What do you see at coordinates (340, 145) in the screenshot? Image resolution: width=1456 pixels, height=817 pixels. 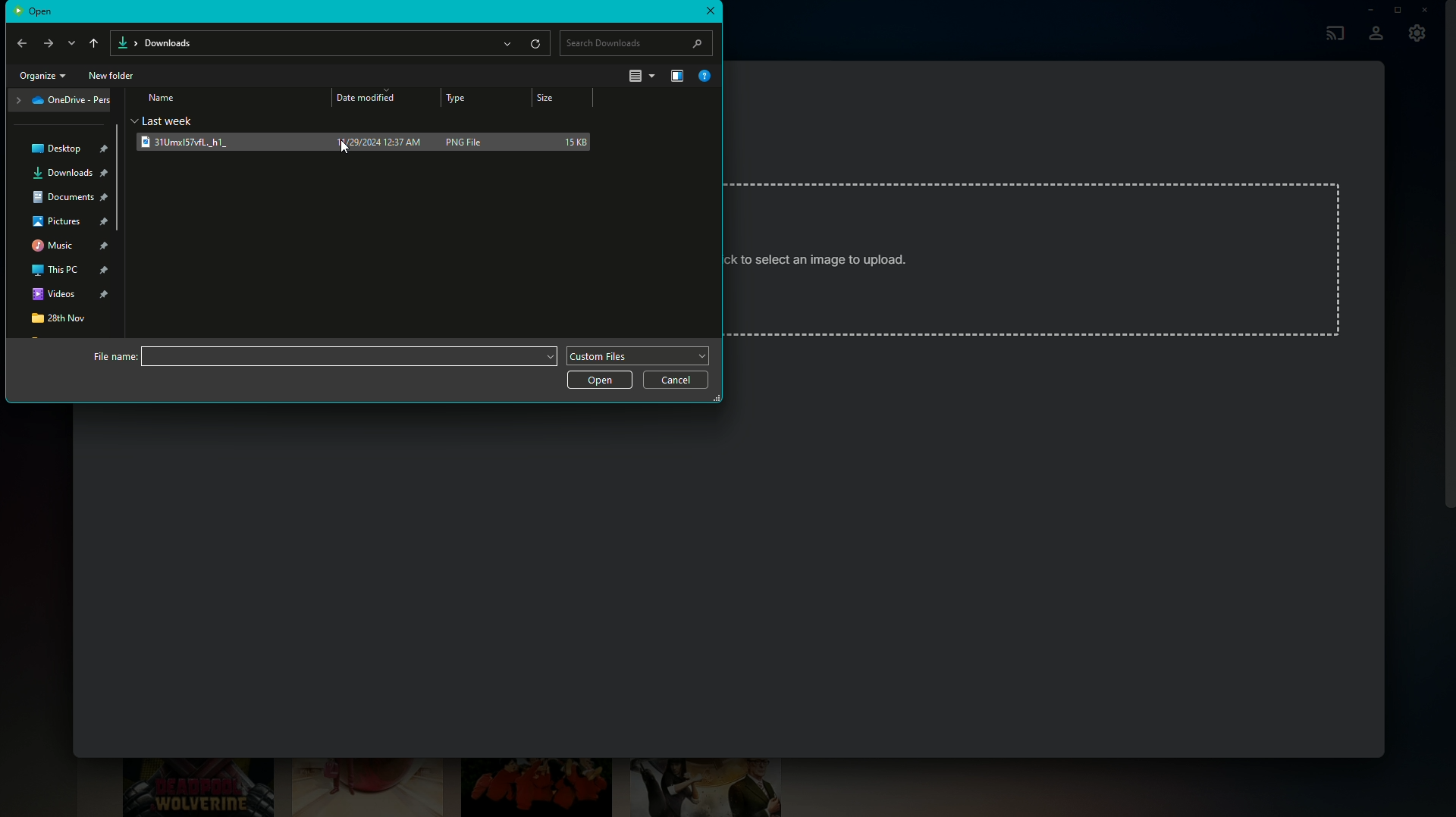 I see `` at bounding box center [340, 145].